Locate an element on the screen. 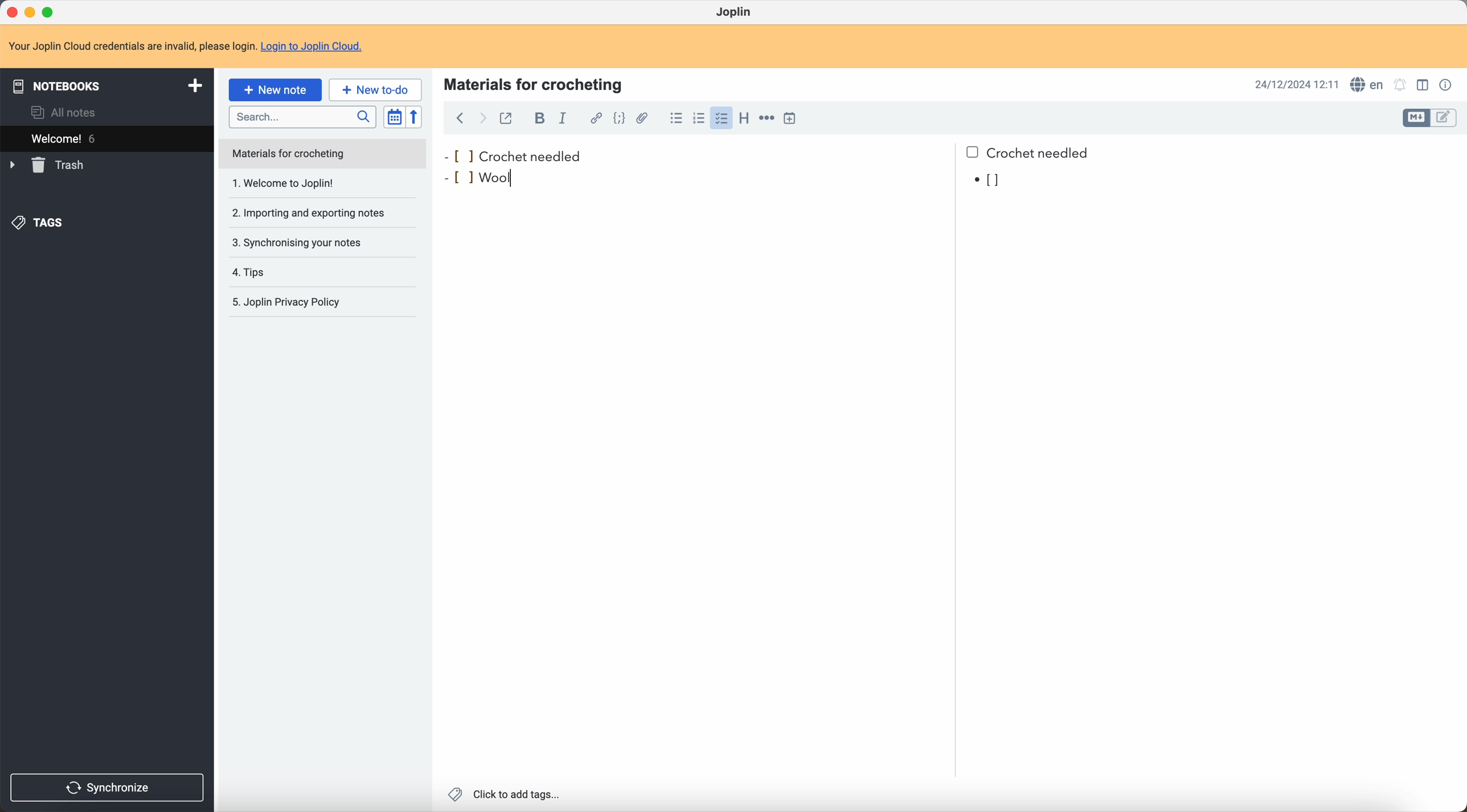 This screenshot has height=812, width=1467. toggle edit layout is located at coordinates (1424, 84).